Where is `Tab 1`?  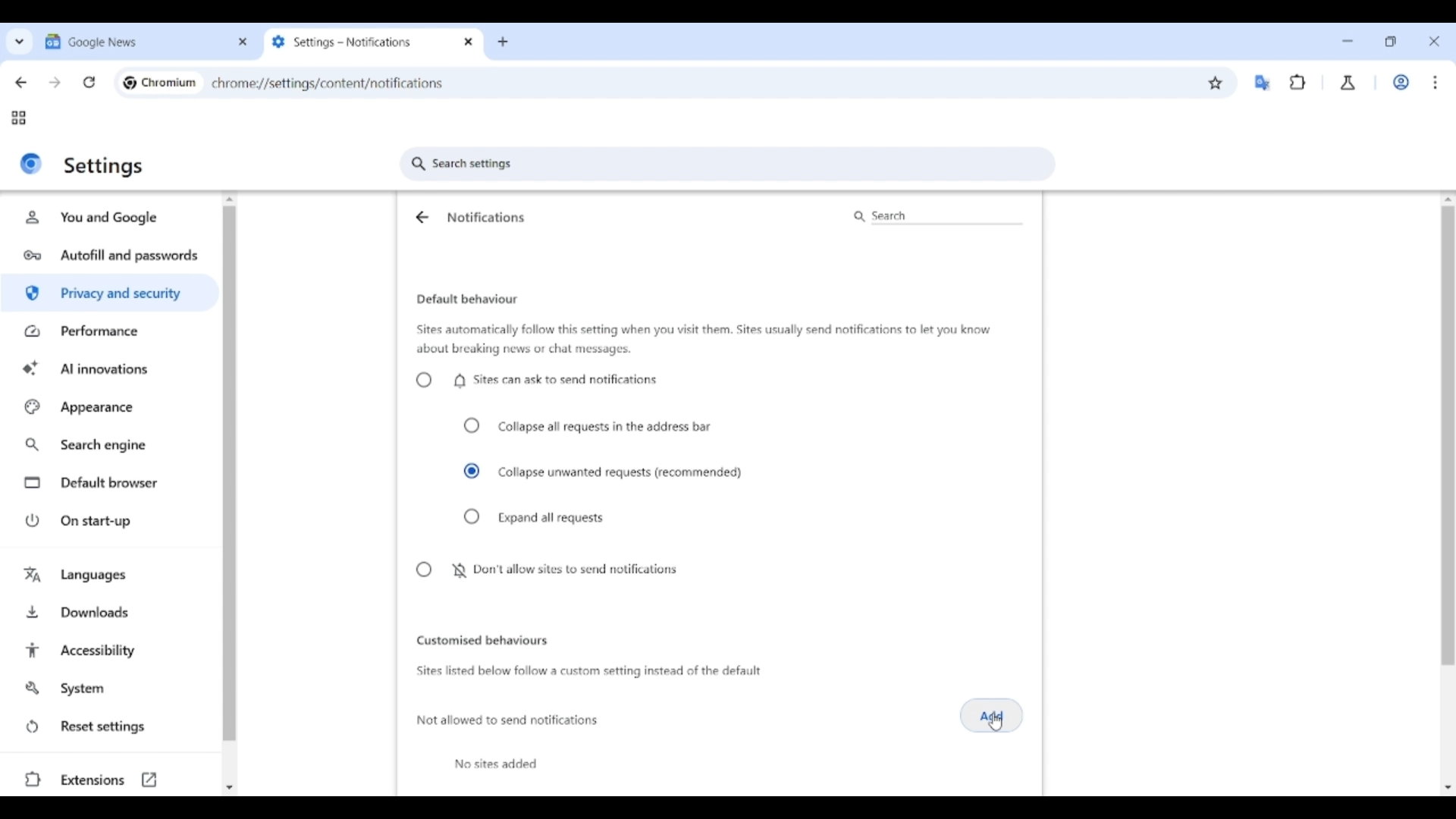 Tab 1 is located at coordinates (135, 41).